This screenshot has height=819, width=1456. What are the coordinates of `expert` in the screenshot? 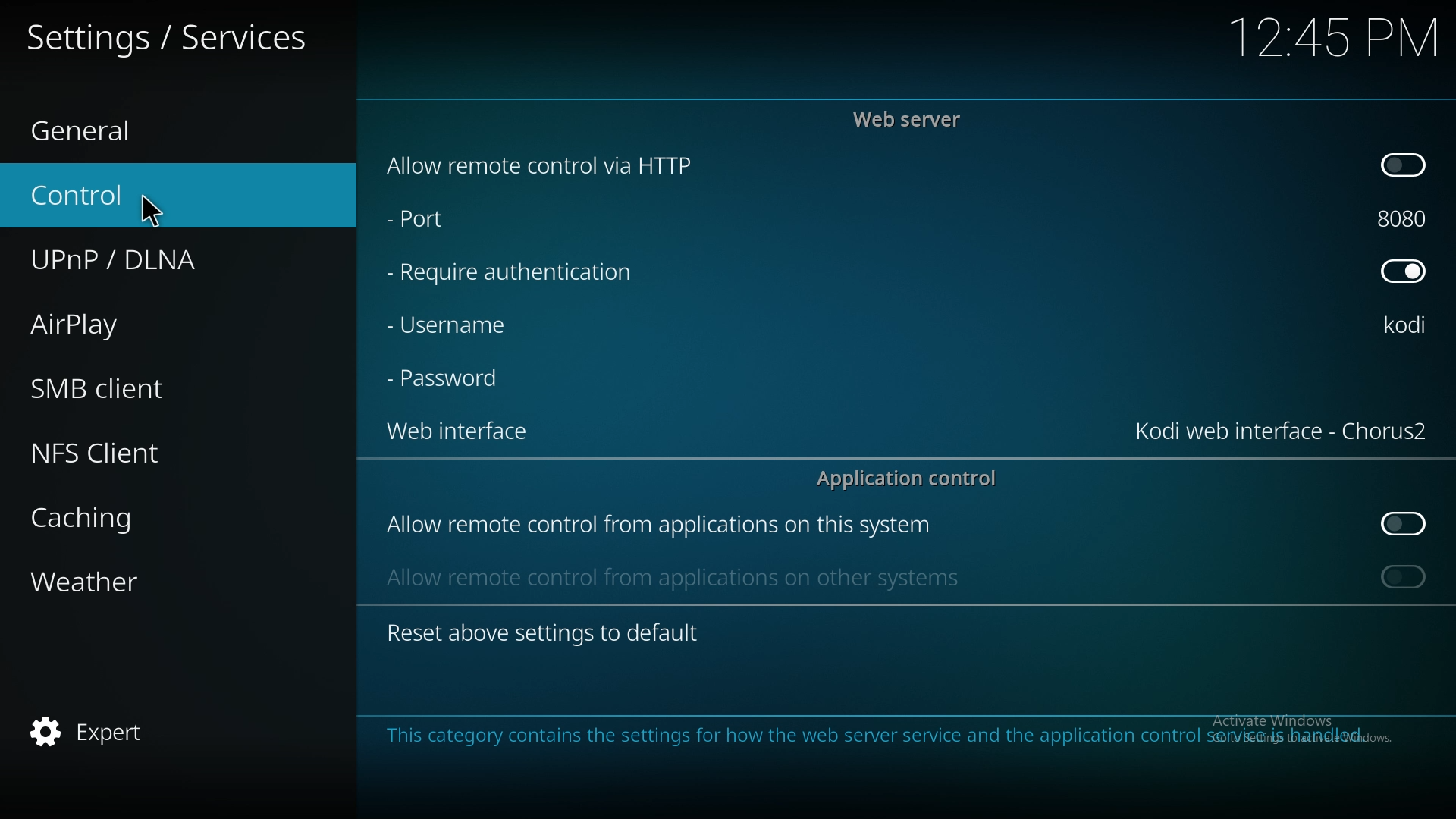 It's located at (127, 733).